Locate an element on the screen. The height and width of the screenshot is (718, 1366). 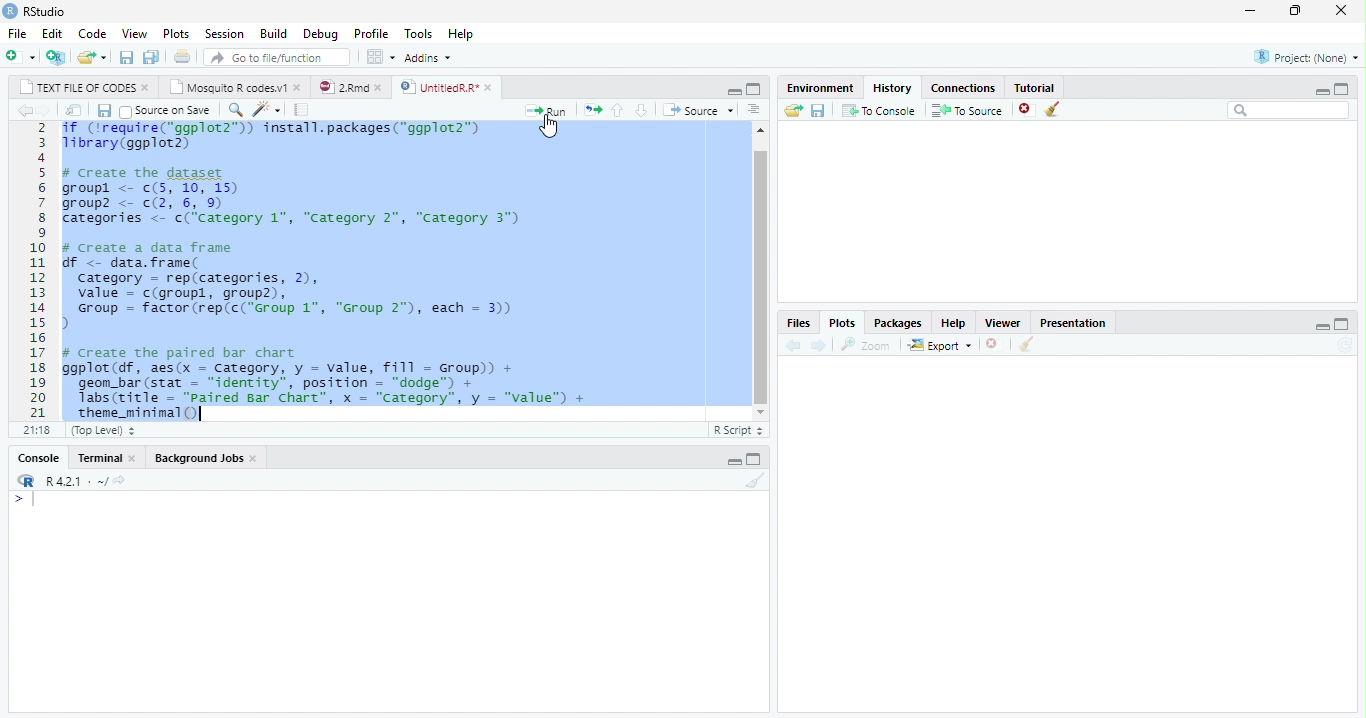
UntitledR.R* is located at coordinates (439, 87).